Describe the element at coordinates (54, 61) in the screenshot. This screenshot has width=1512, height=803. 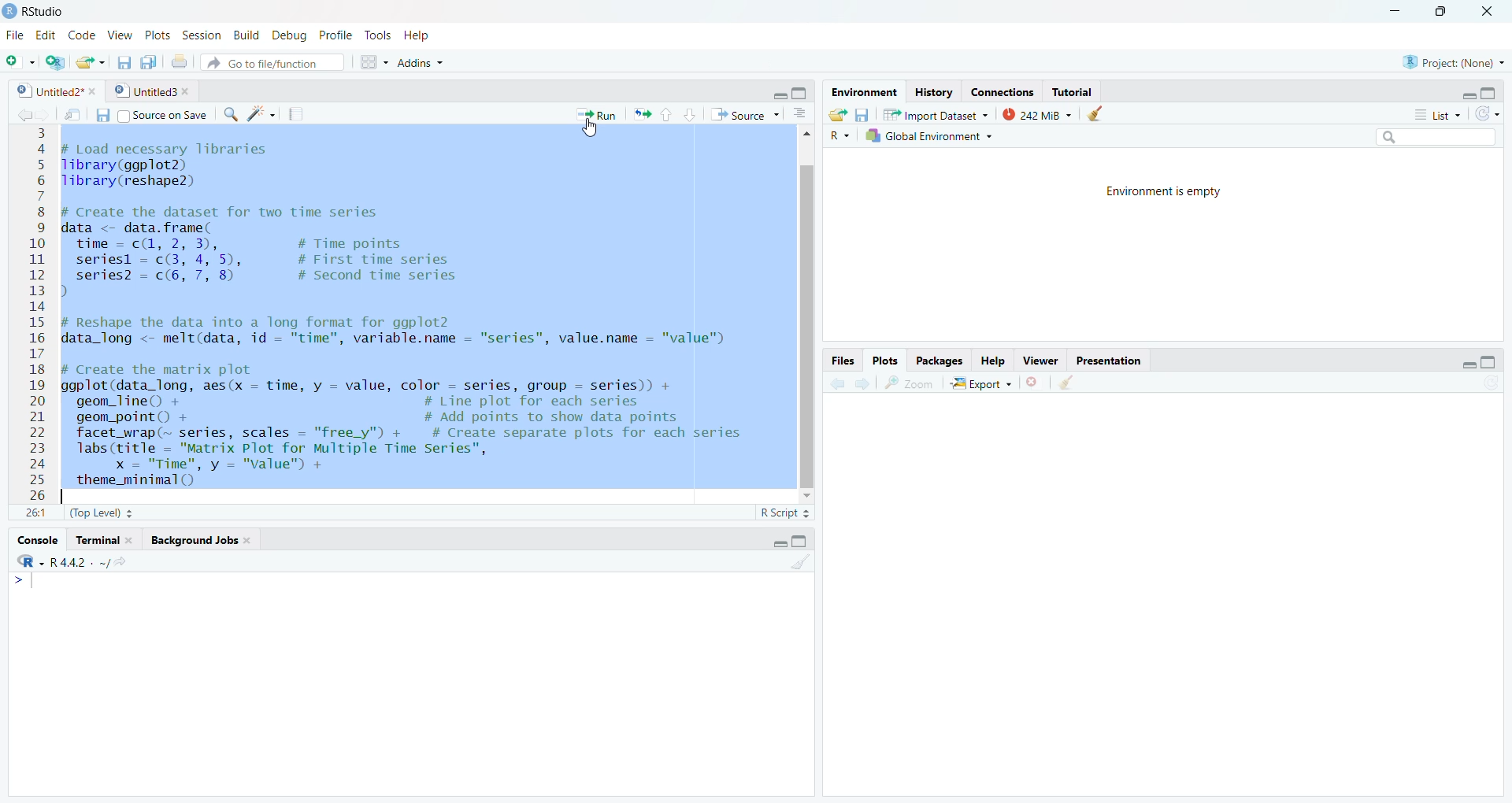
I see `create a project` at that location.